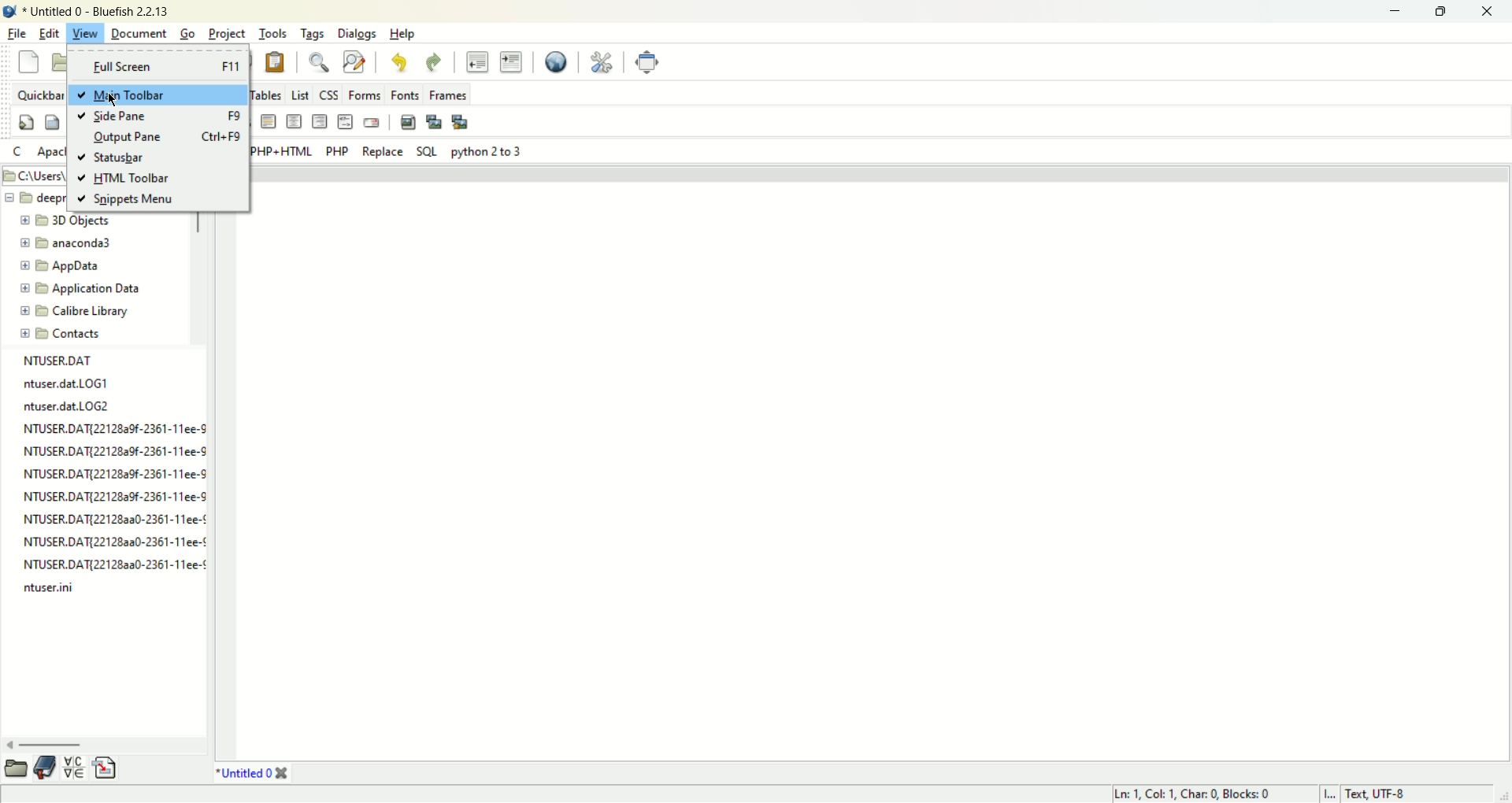  I want to click on snippet, so click(125, 202).